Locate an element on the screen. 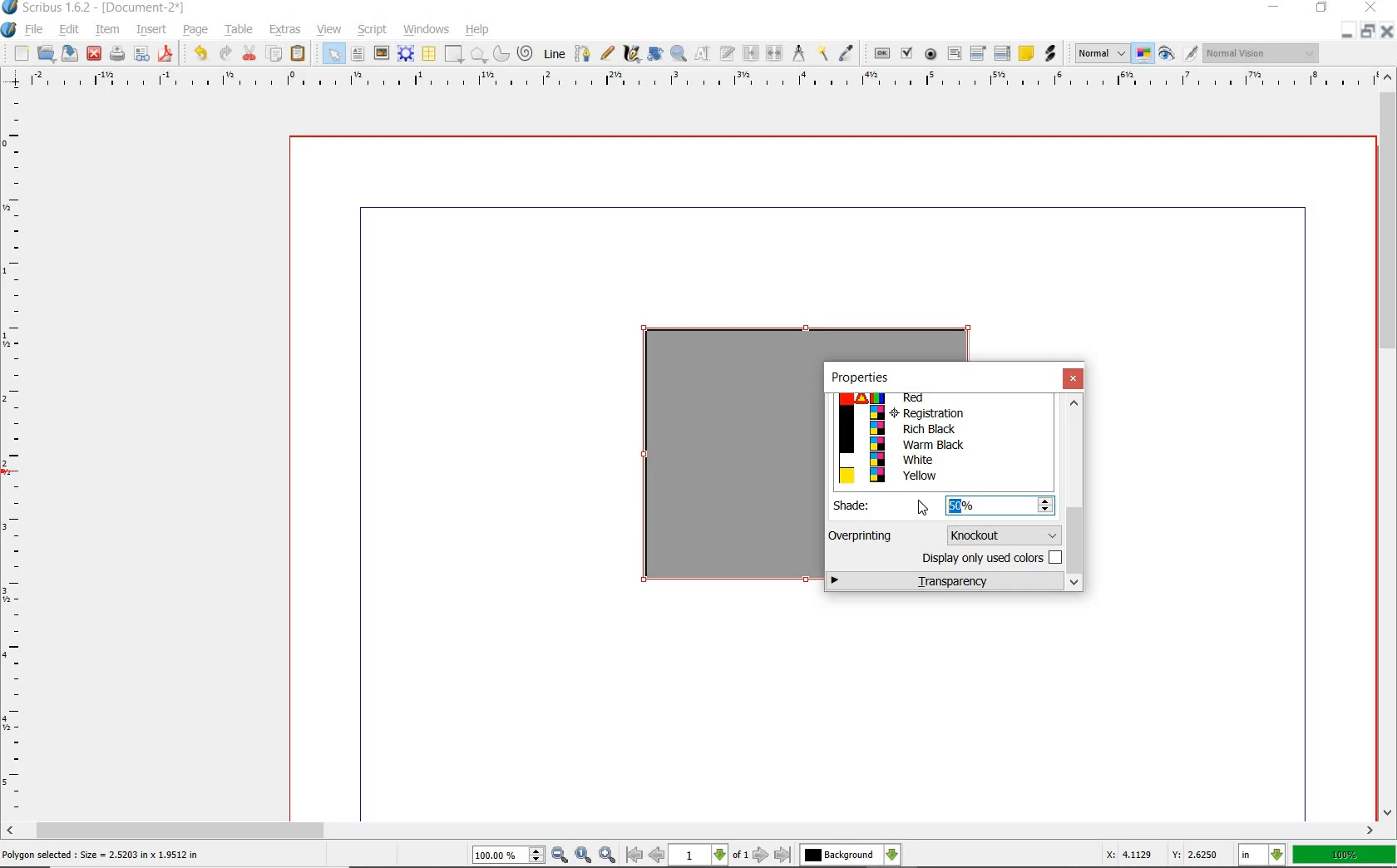 The image size is (1397, 868). text frame is located at coordinates (360, 53).